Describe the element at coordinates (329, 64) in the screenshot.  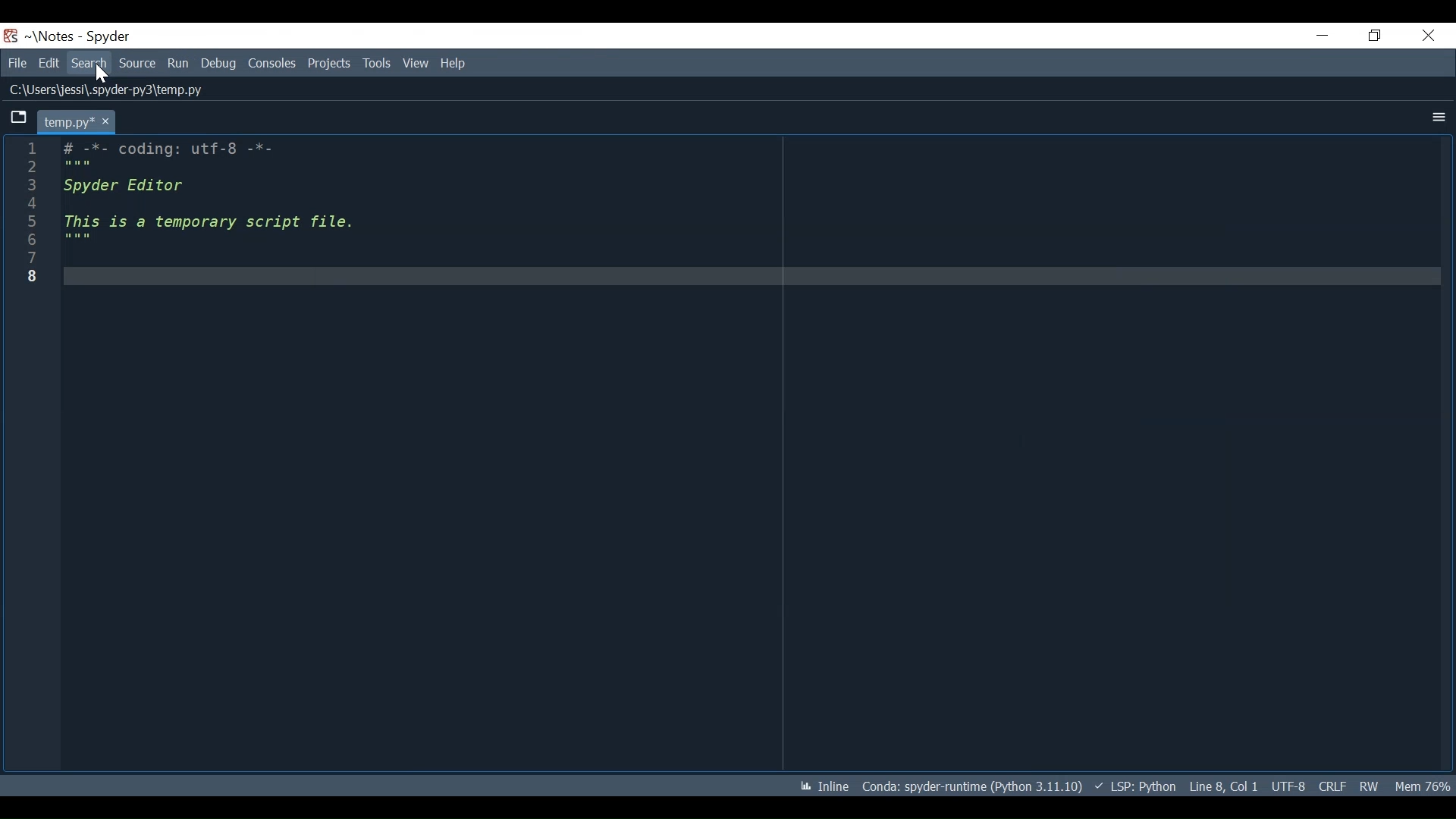
I see `Projects` at that location.